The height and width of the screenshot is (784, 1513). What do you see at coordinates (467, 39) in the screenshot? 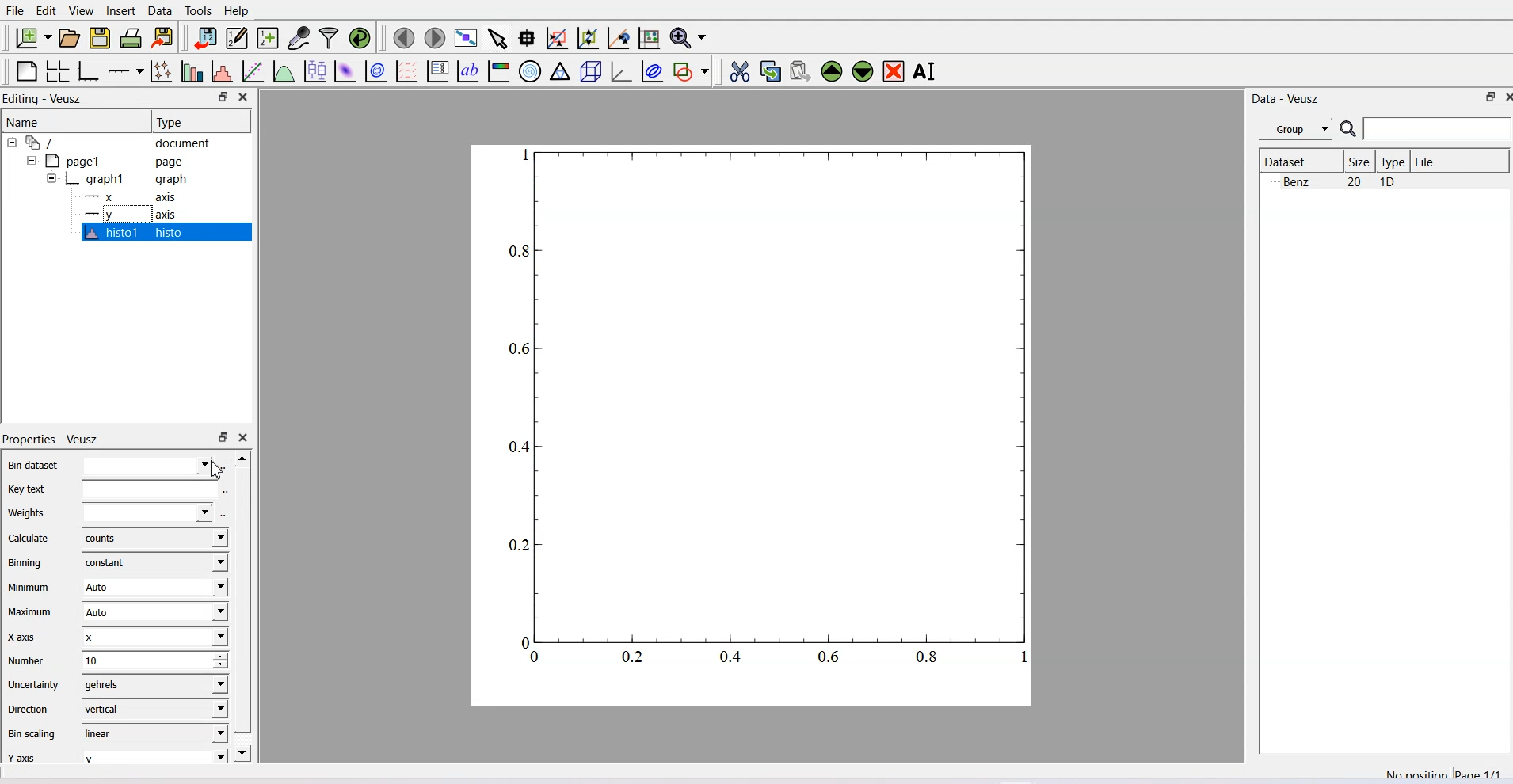
I see `View plot full screen` at bounding box center [467, 39].